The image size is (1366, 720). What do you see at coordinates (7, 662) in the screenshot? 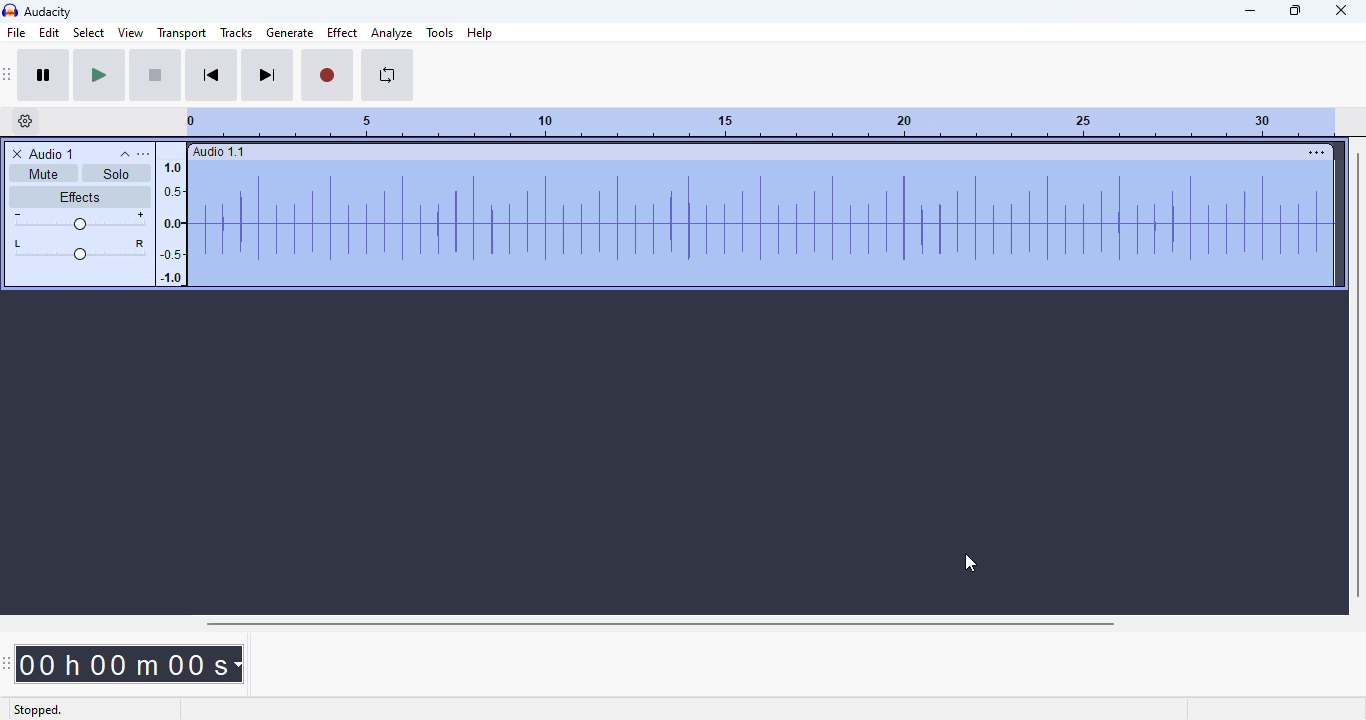
I see `audacity time toolbar` at bounding box center [7, 662].